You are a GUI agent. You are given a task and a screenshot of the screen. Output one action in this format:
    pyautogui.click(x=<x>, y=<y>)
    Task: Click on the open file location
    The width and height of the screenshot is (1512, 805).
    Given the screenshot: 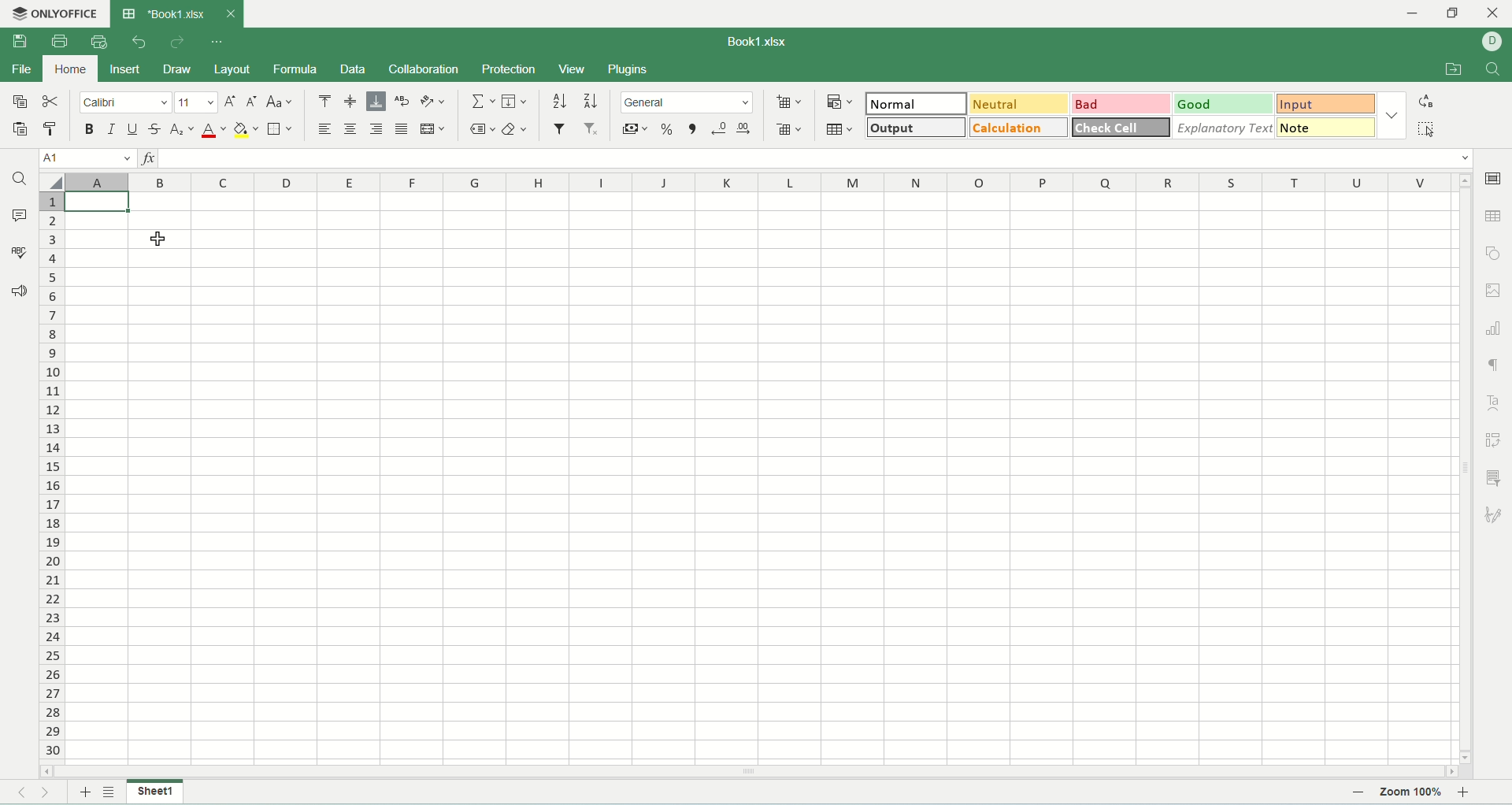 What is the action you would take?
    pyautogui.click(x=1455, y=71)
    